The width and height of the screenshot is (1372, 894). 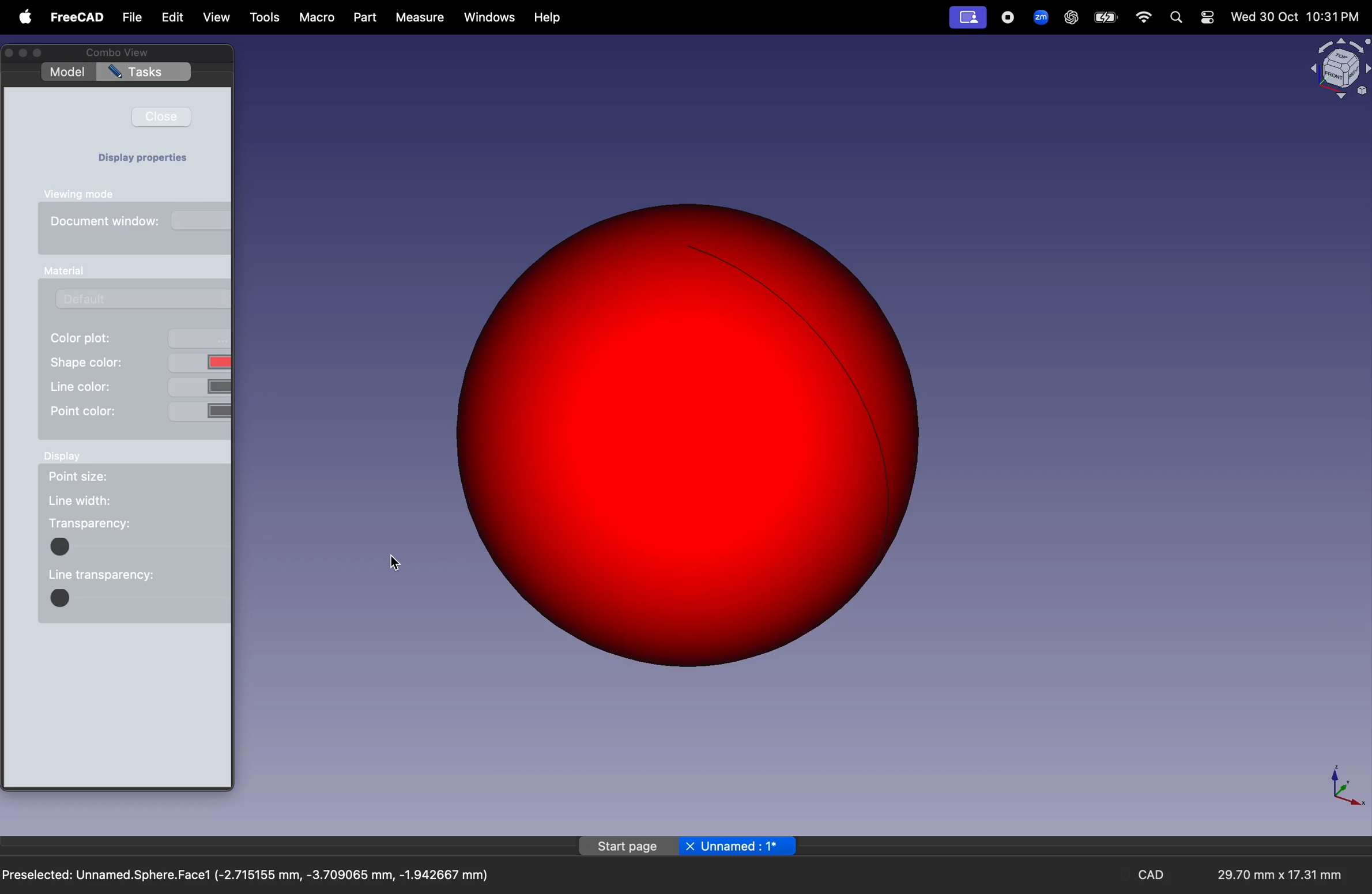 I want to click on transparency, so click(x=99, y=523).